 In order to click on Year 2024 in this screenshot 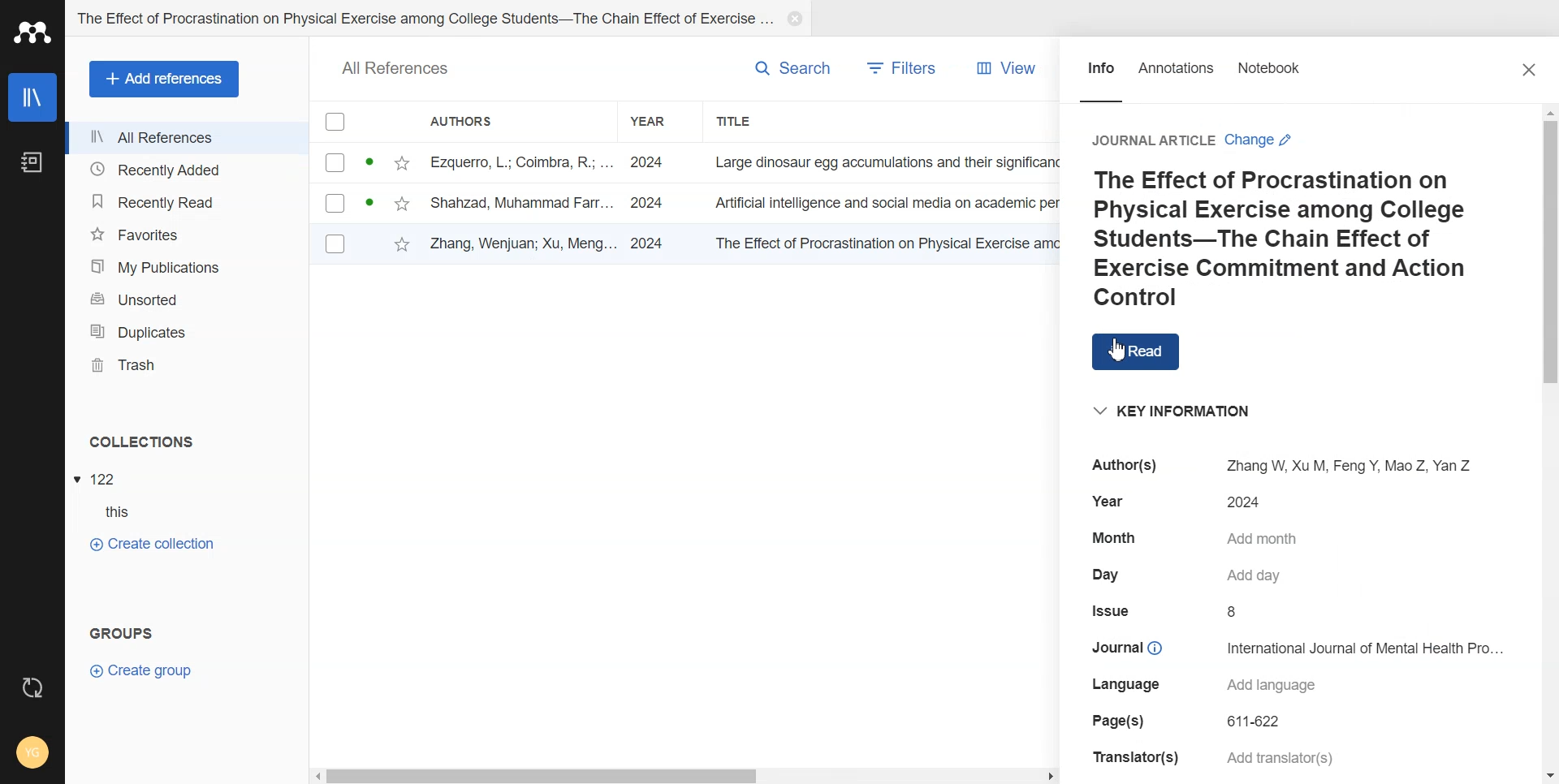, I will do `click(1187, 501)`.